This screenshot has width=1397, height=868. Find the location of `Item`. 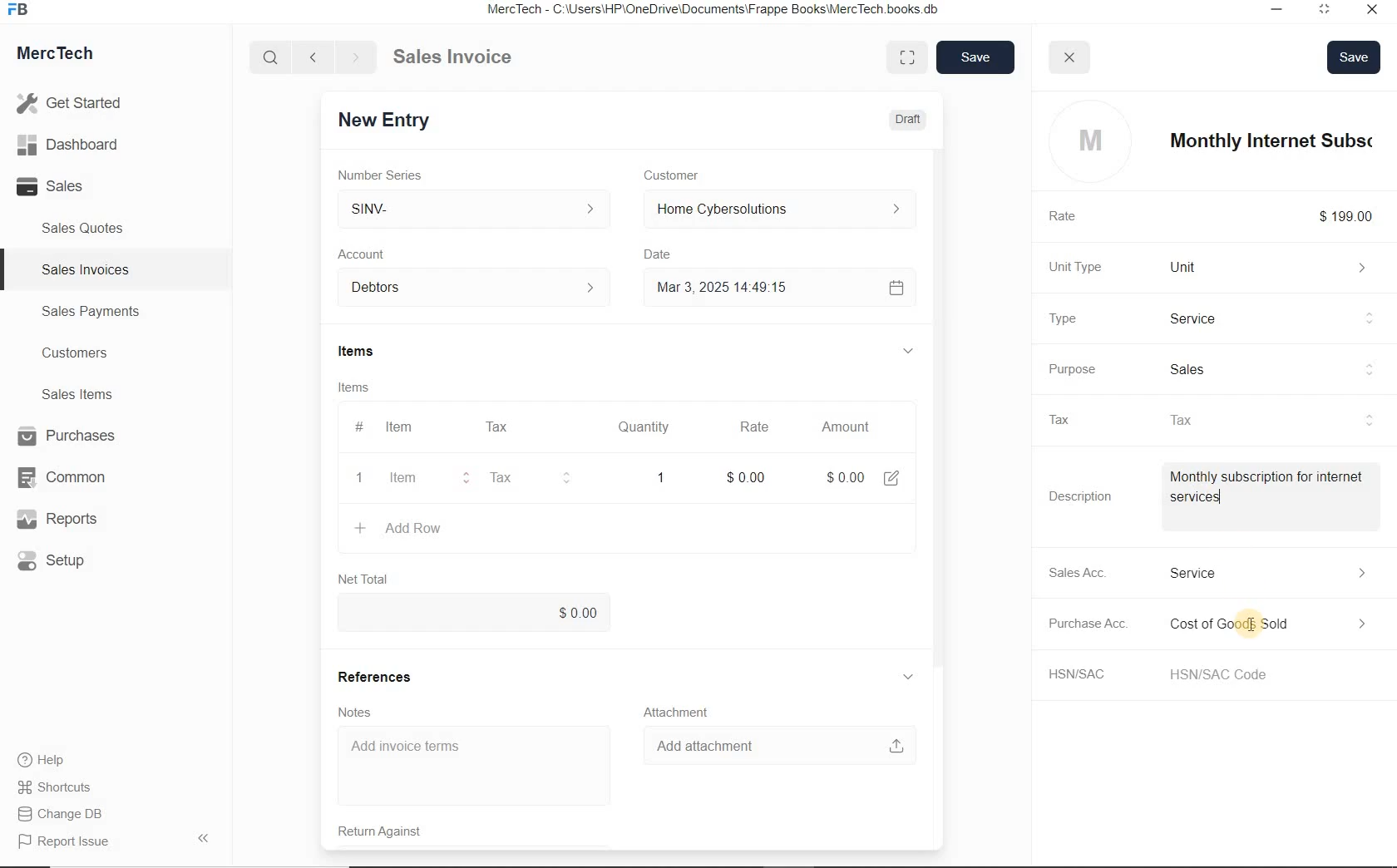

Item is located at coordinates (401, 427).